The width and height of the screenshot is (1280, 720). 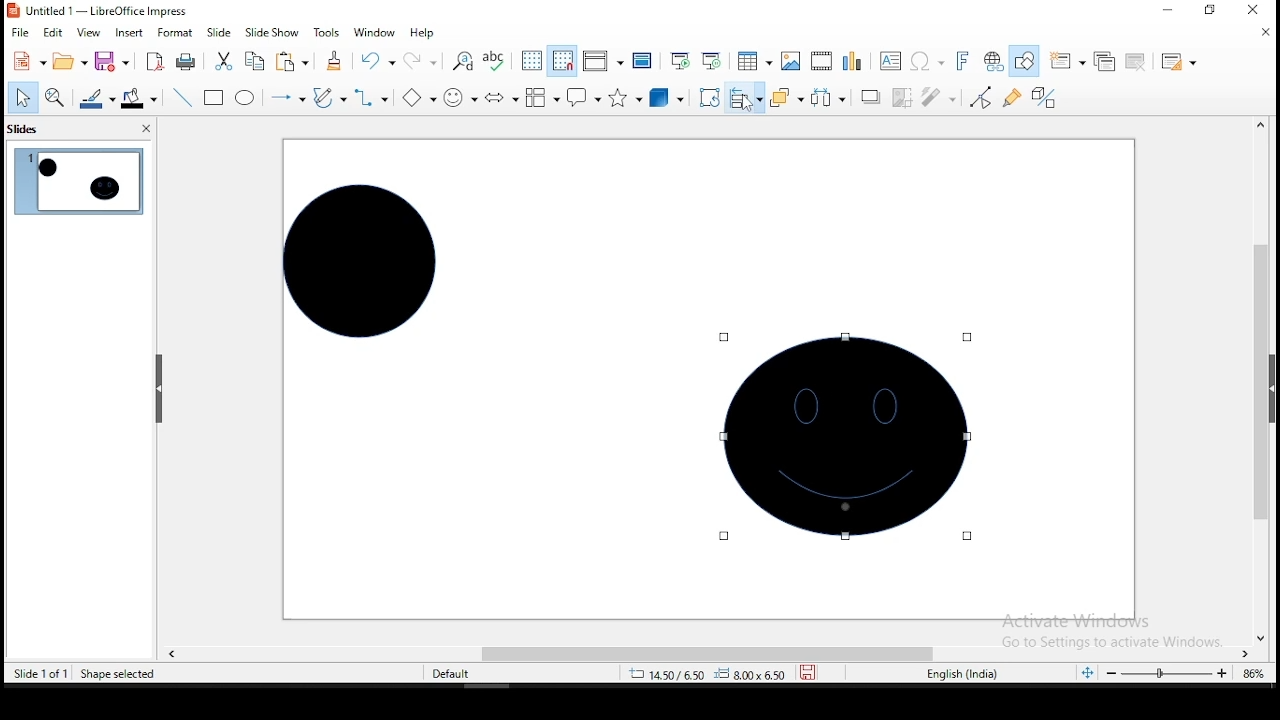 What do you see at coordinates (219, 32) in the screenshot?
I see `slide` at bounding box center [219, 32].